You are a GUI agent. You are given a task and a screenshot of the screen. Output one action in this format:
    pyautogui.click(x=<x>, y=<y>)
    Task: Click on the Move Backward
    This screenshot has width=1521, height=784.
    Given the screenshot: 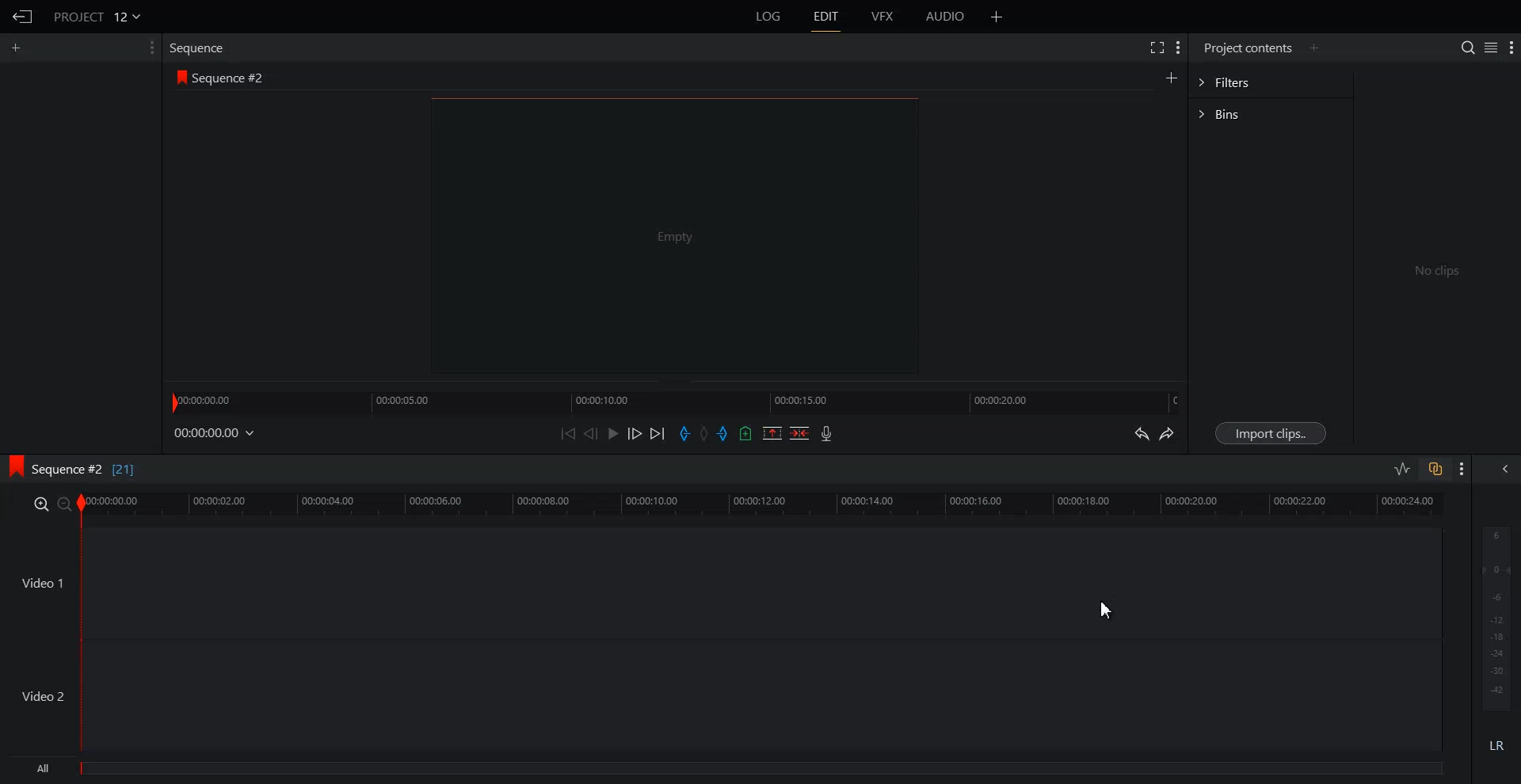 What is the action you would take?
    pyautogui.click(x=570, y=432)
    